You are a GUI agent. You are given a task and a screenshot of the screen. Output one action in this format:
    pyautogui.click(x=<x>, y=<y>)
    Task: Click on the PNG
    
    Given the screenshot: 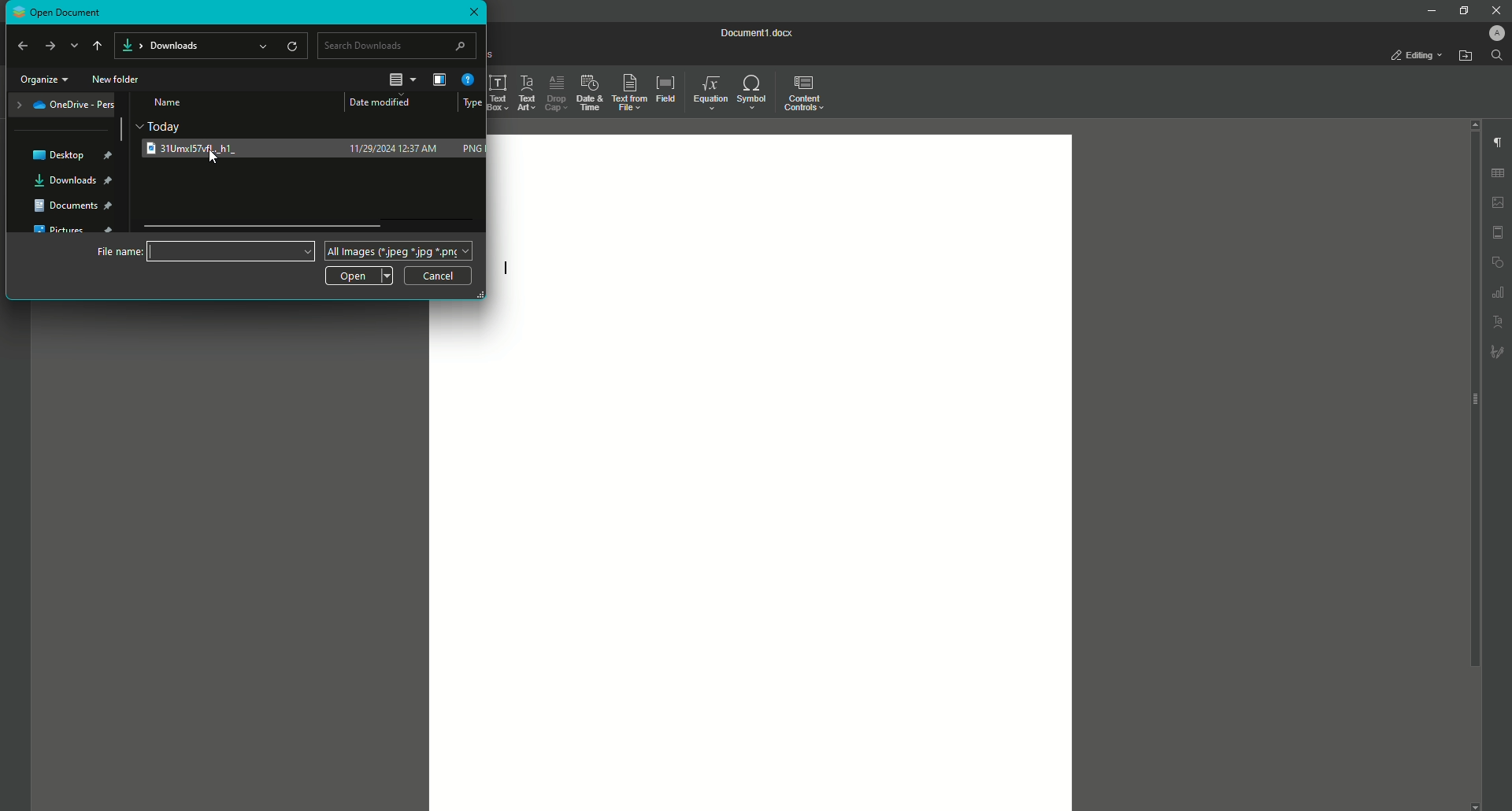 What is the action you would take?
    pyautogui.click(x=472, y=149)
    